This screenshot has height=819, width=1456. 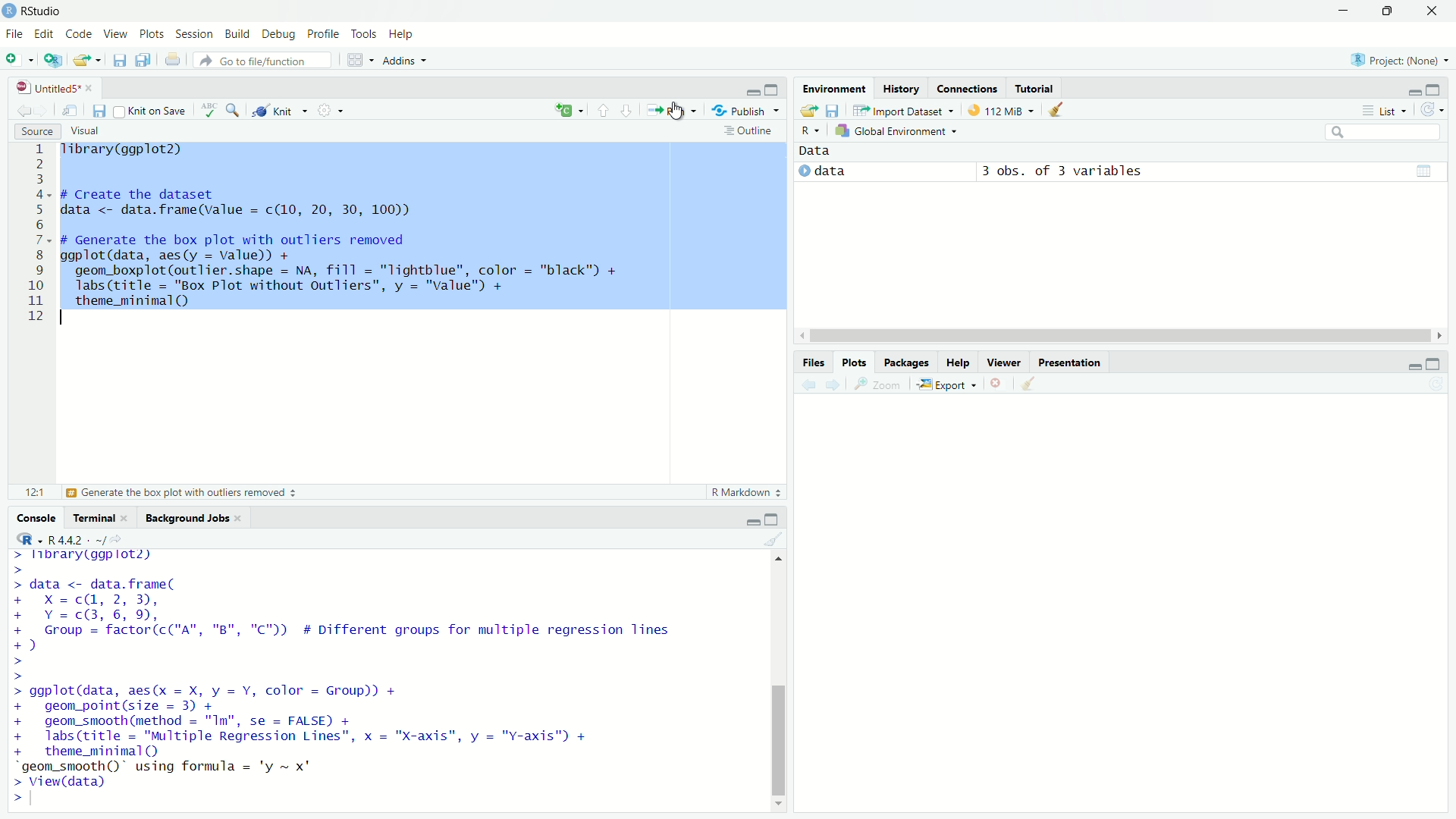 What do you see at coordinates (44, 33) in the screenshot?
I see `Edit` at bounding box center [44, 33].